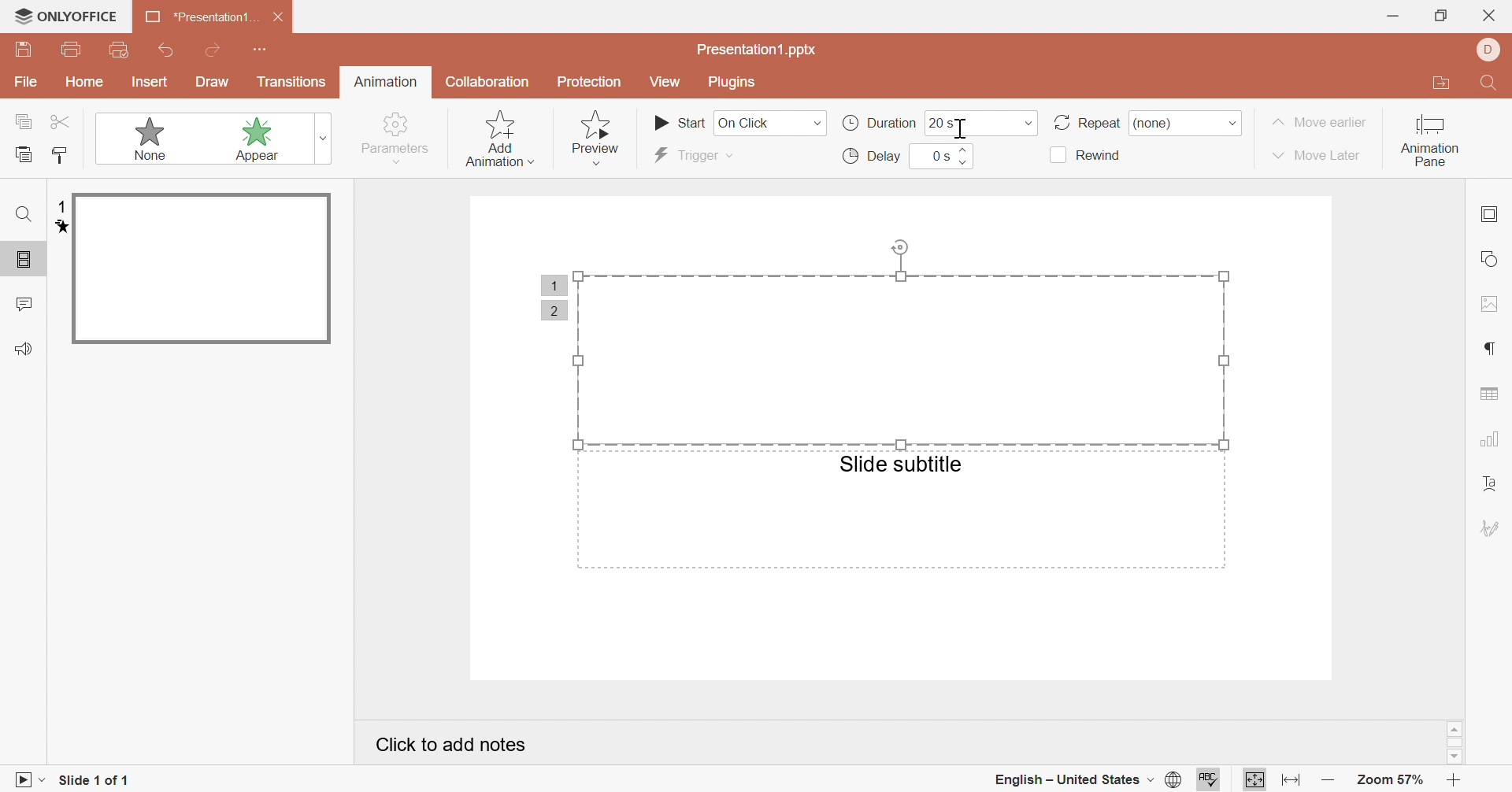 The height and width of the screenshot is (792, 1512). I want to click on 2, so click(553, 312).